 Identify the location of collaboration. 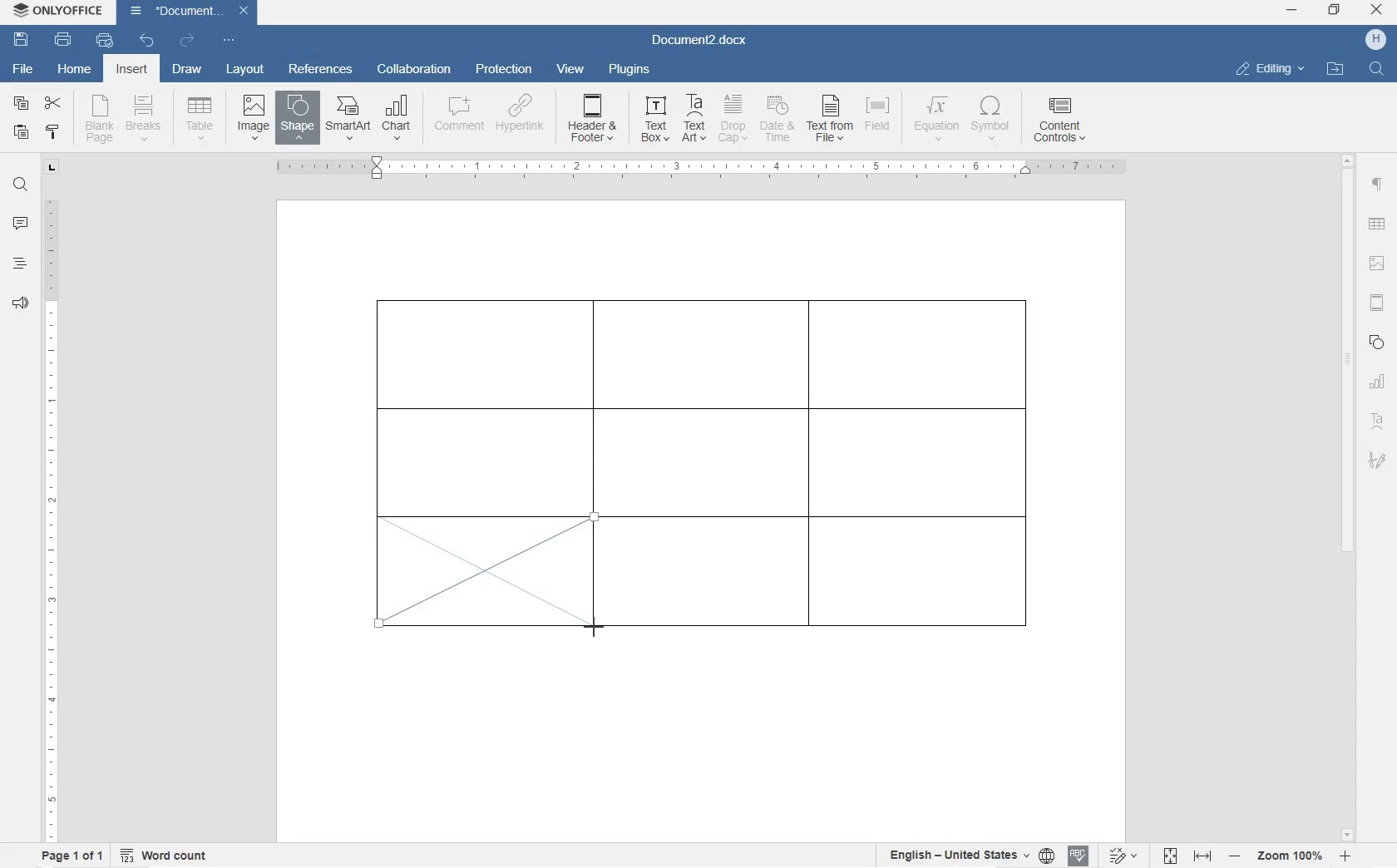
(414, 70).